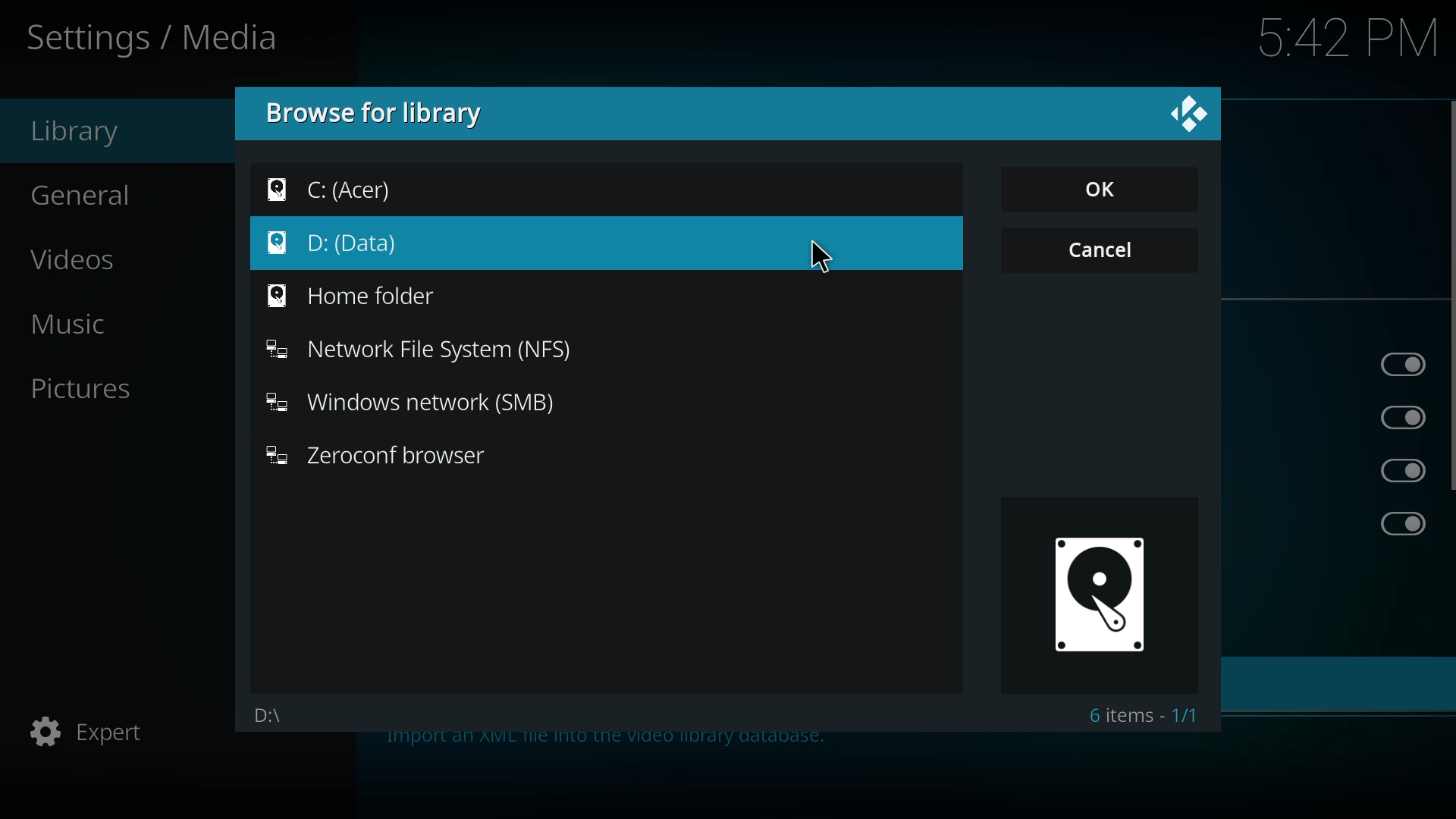 This screenshot has width=1456, height=819. What do you see at coordinates (1404, 523) in the screenshot?
I see `enabled` at bounding box center [1404, 523].